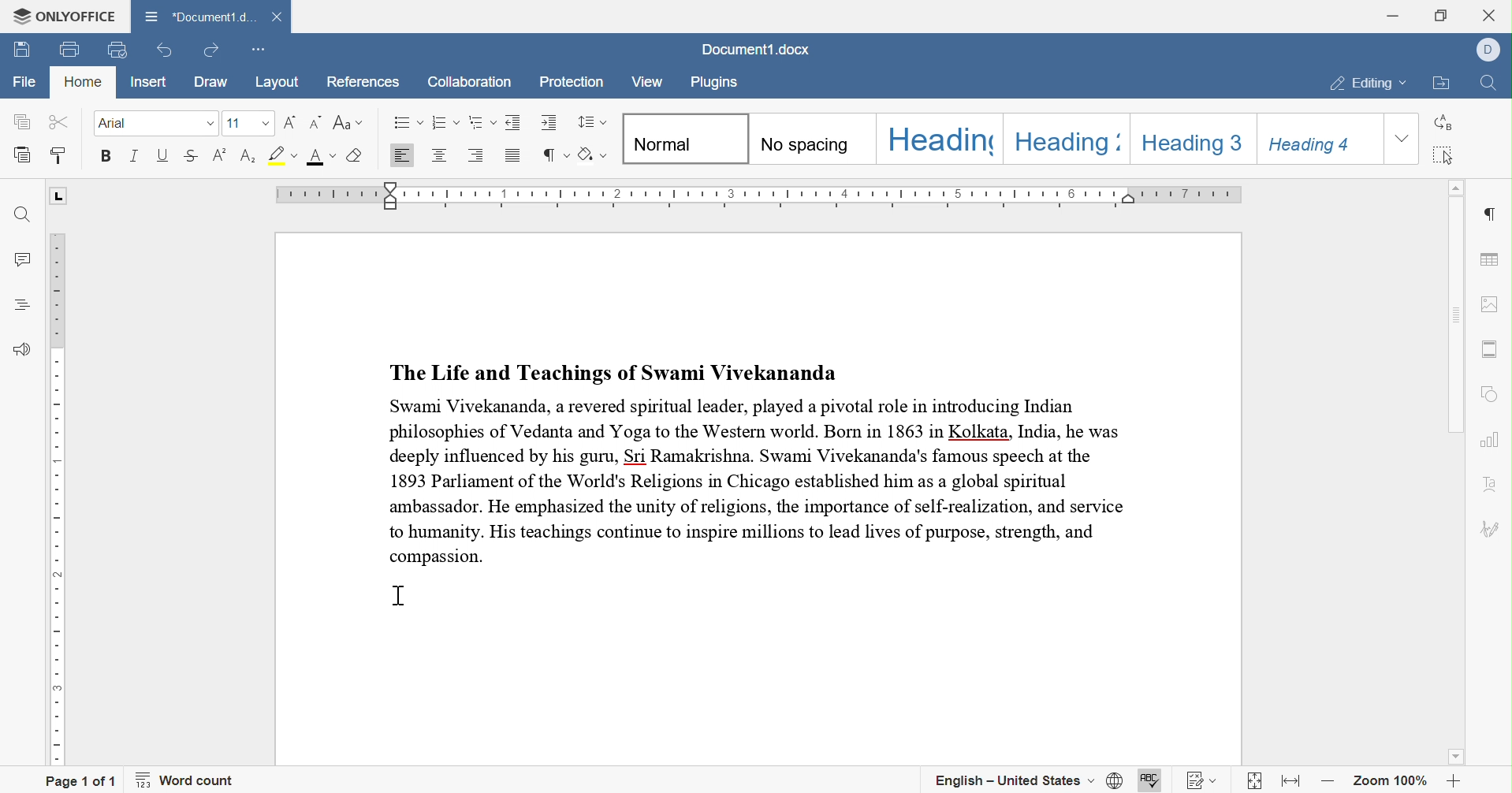 The height and width of the screenshot is (793, 1512). I want to click on ruler, so click(764, 195).